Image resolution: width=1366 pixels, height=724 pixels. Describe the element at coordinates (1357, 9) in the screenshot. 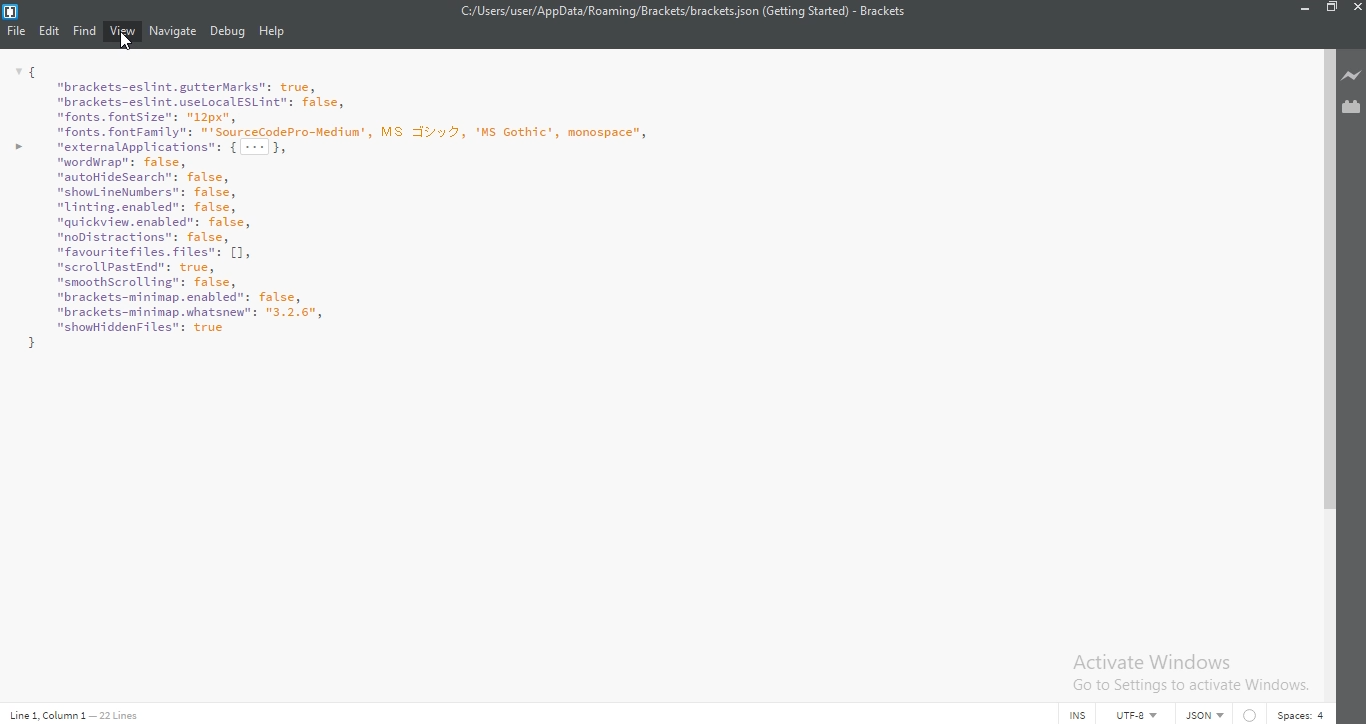

I see `Close` at that location.